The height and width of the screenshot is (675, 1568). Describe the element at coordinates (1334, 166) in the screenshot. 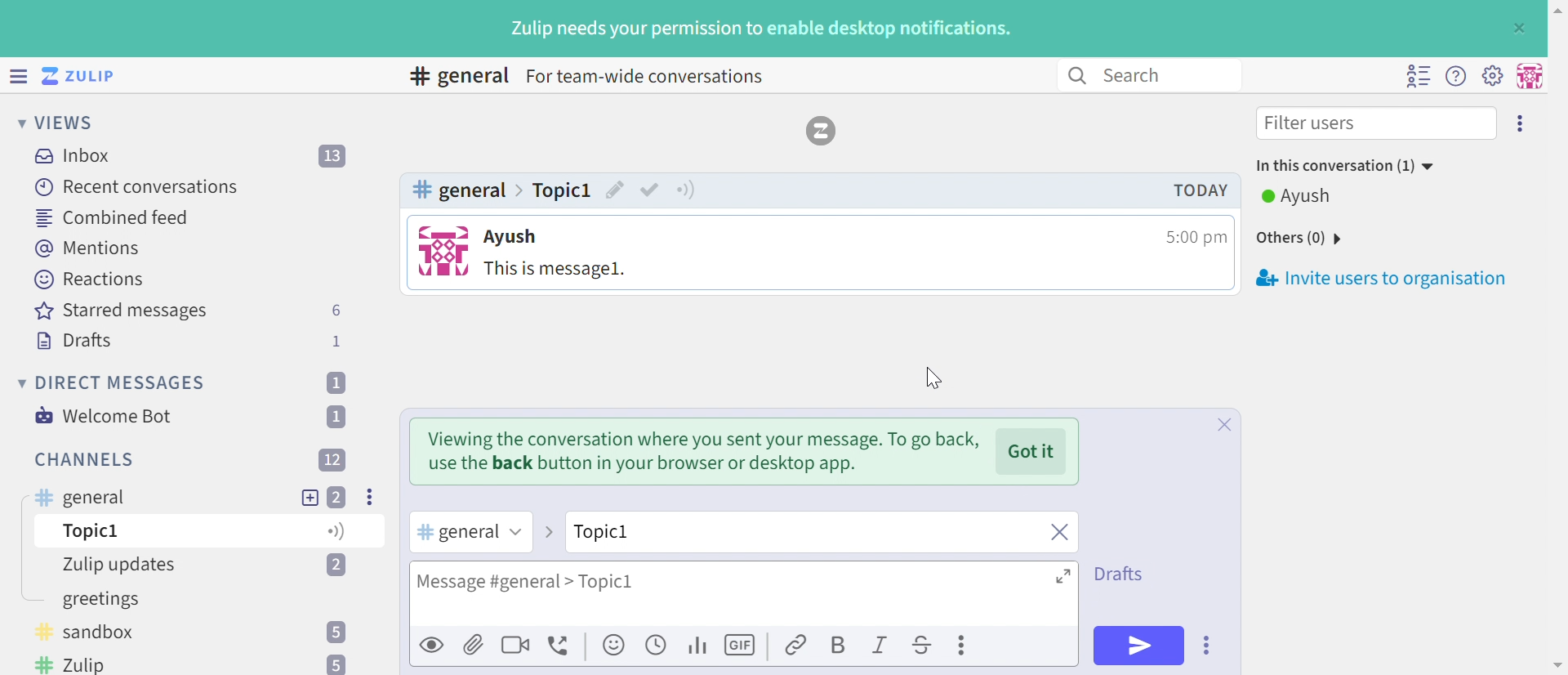

I see `In this conversation (1)` at that location.